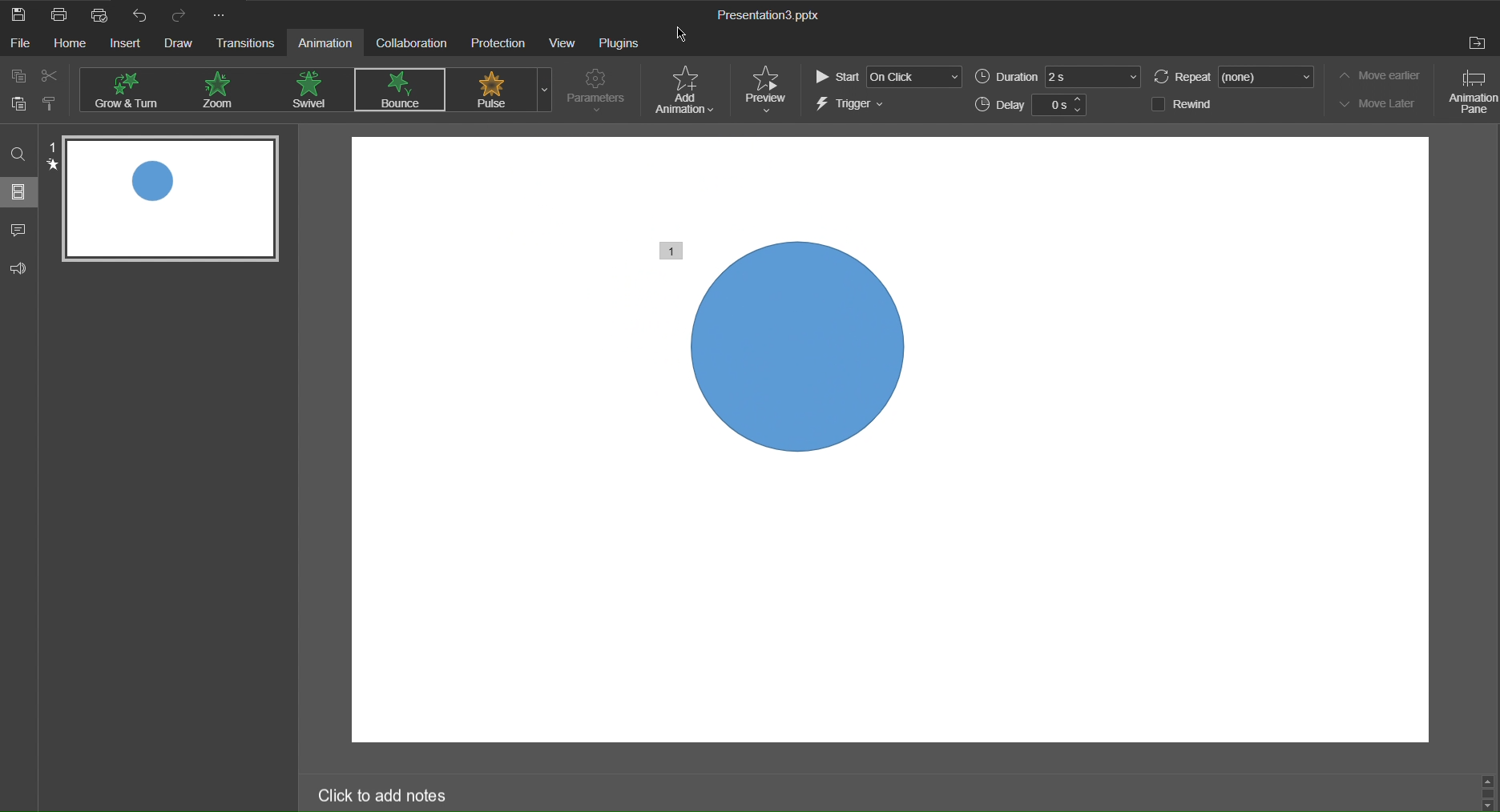 This screenshot has width=1500, height=812. What do you see at coordinates (1478, 45) in the screenshot?
I see `Open File Location` at bounding box center [1478, 45].